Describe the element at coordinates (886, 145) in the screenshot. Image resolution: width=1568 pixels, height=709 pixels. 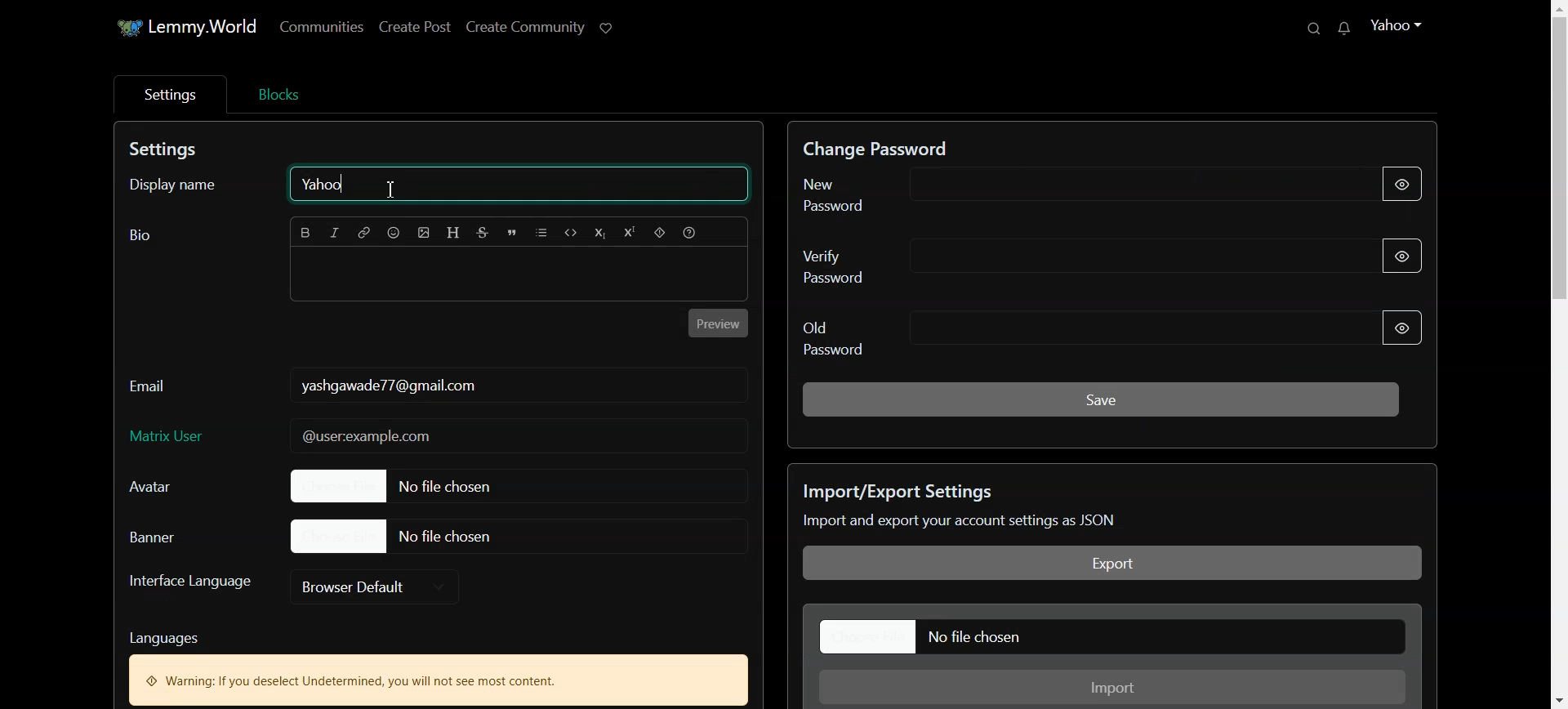
I see `Text` at that location.